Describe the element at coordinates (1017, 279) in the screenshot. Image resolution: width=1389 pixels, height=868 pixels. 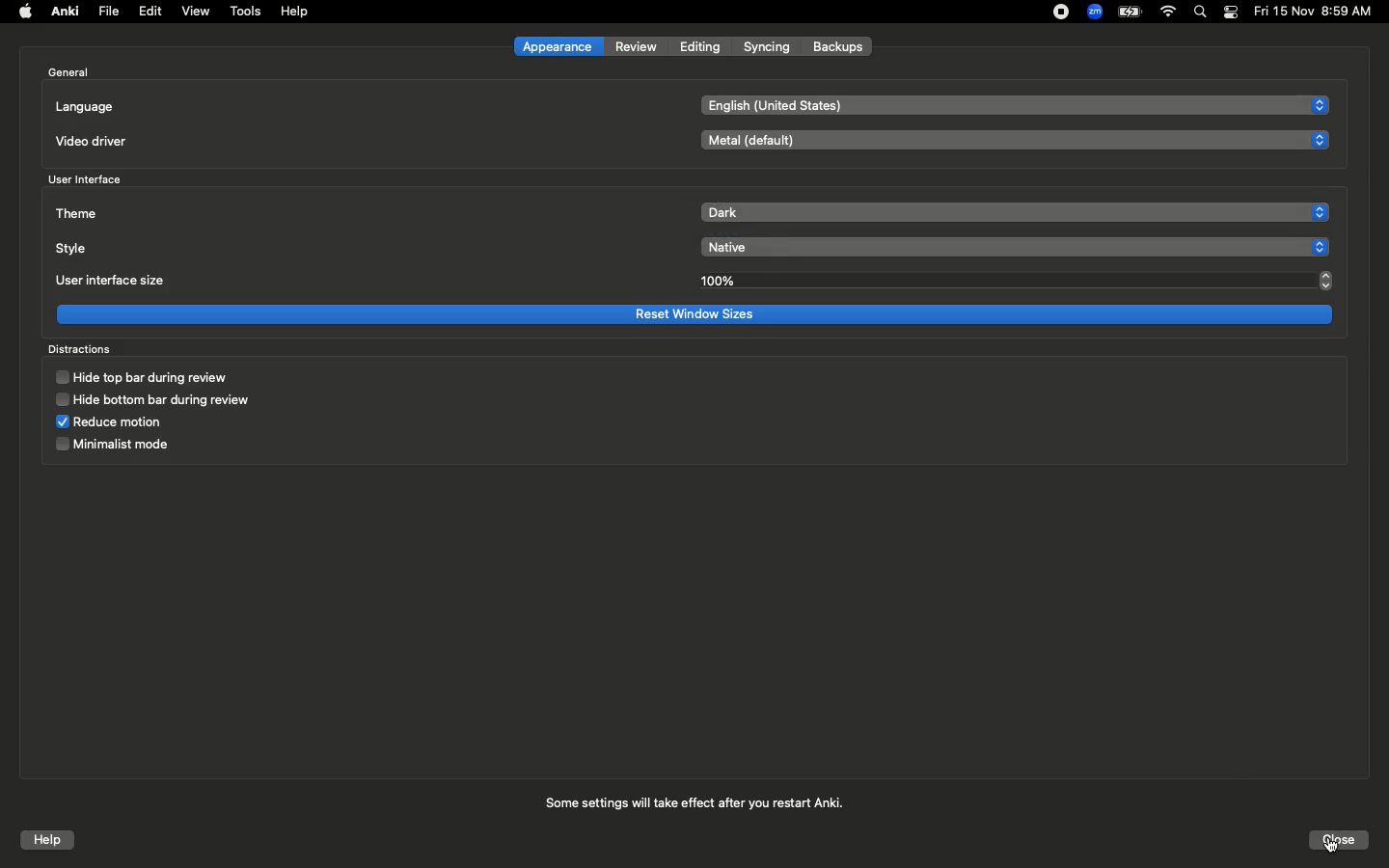
I see `100%` at that location.